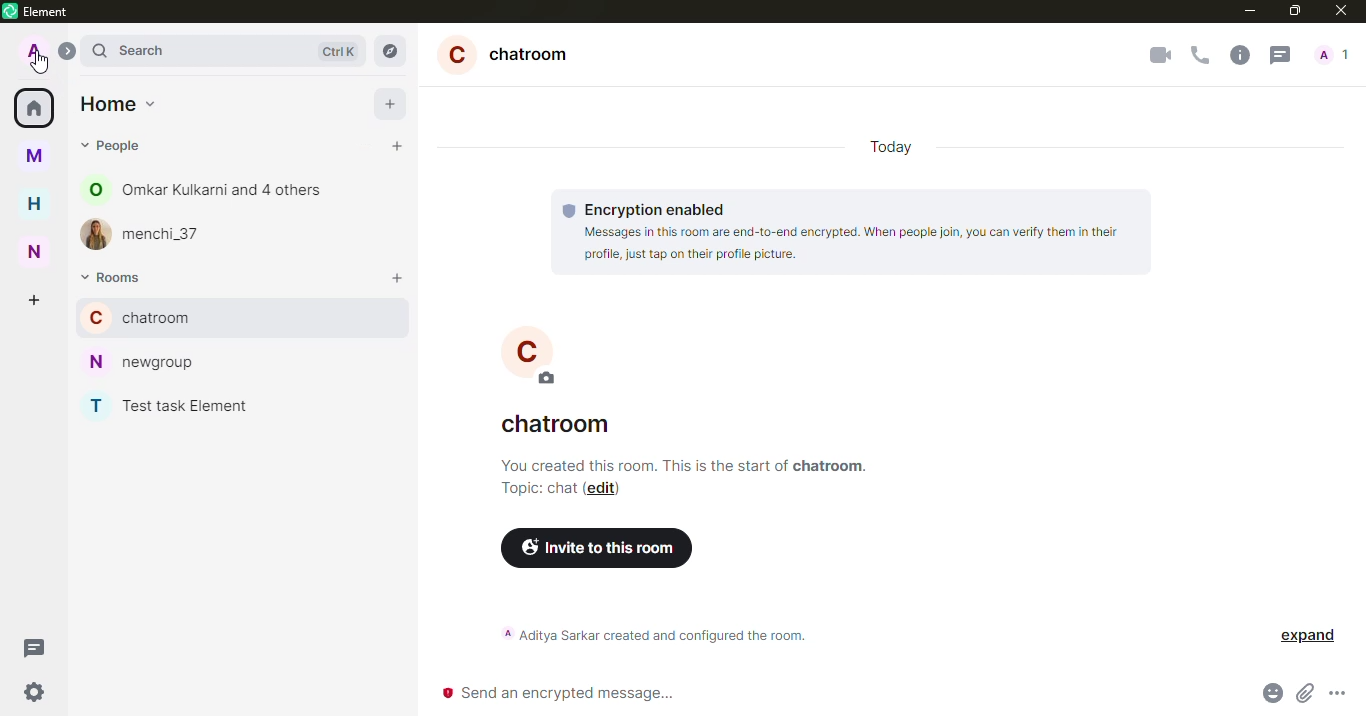 Image resolution: width=1366 pixels, height=716 pixels. Describe the element at coordinates (898, 147) in the screenshot. I see `today` at that location.